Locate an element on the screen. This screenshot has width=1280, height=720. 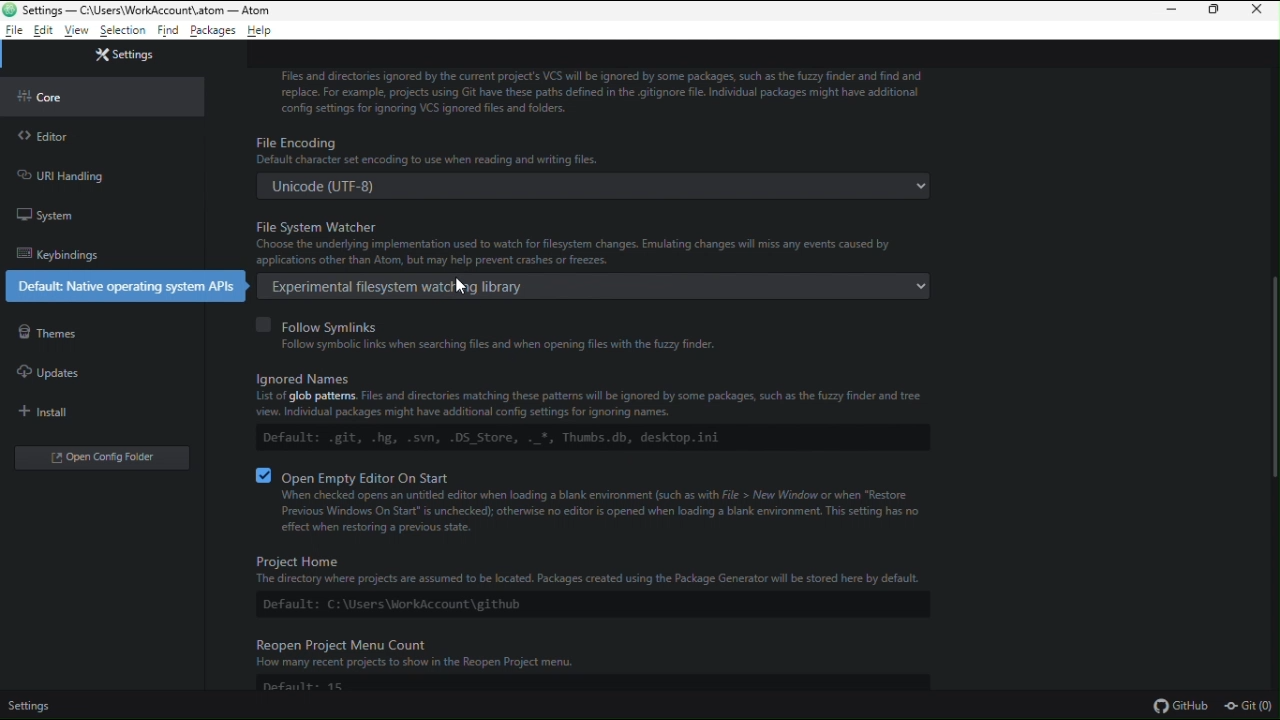
Settings is located at coordinates (123, 53).